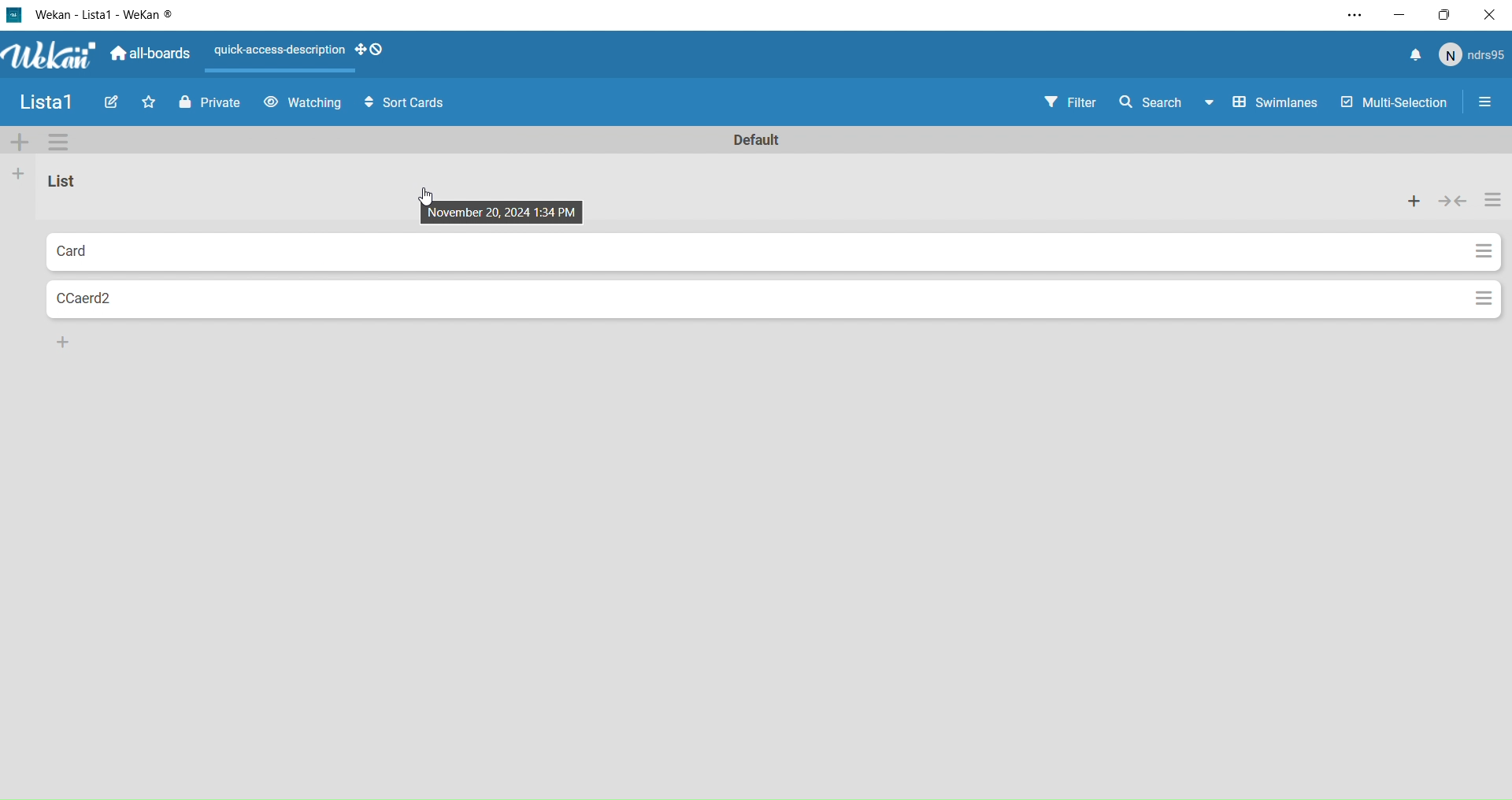 Image resolution: width=1512 pixels, height=800 pixels. What do you see at coordinates (46, 102) in the screenshot?
I see `Name` at bounding box center [46, 102].